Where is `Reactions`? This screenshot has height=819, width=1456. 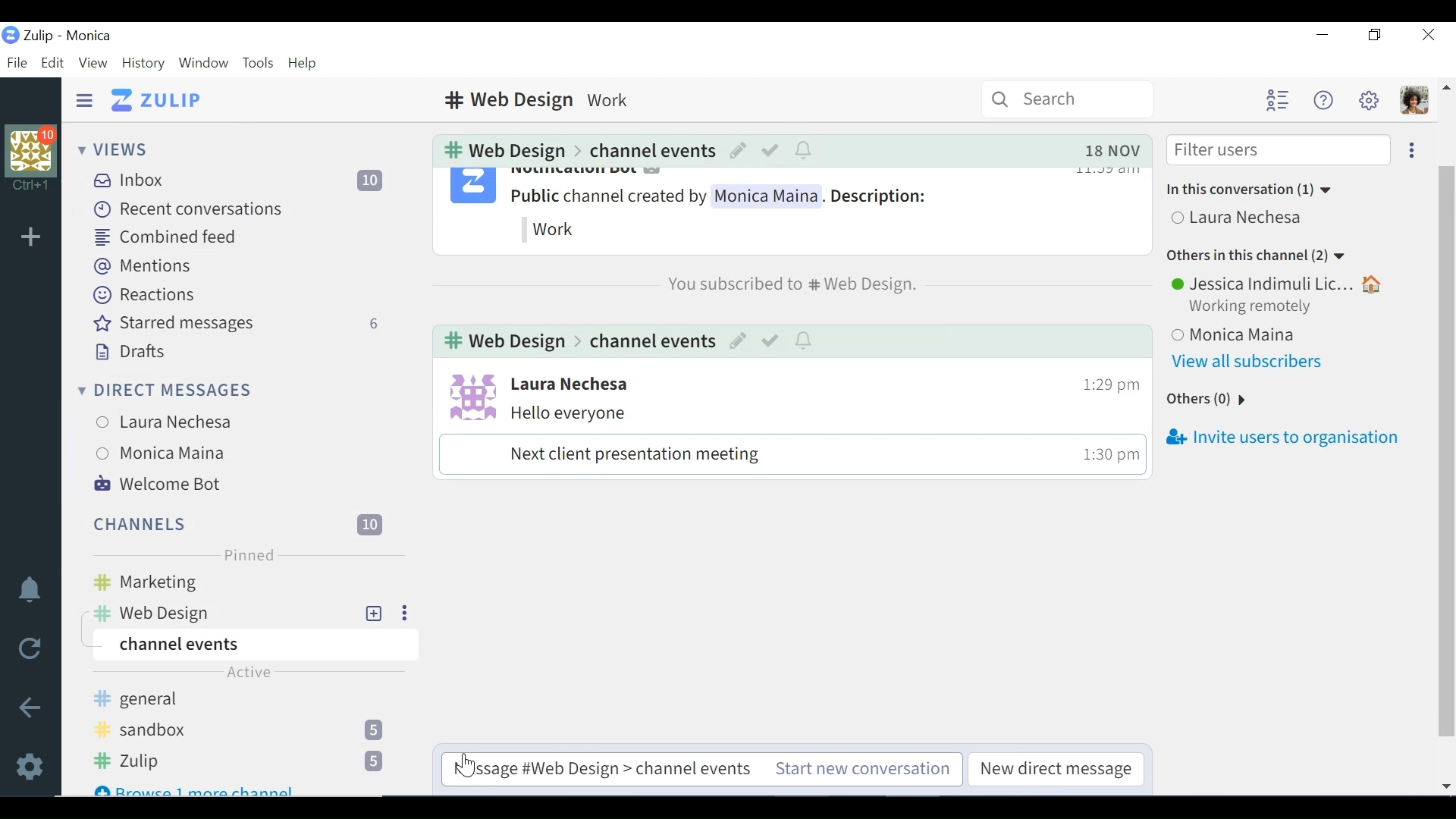 Reactions is located at coordinates (142, 294).